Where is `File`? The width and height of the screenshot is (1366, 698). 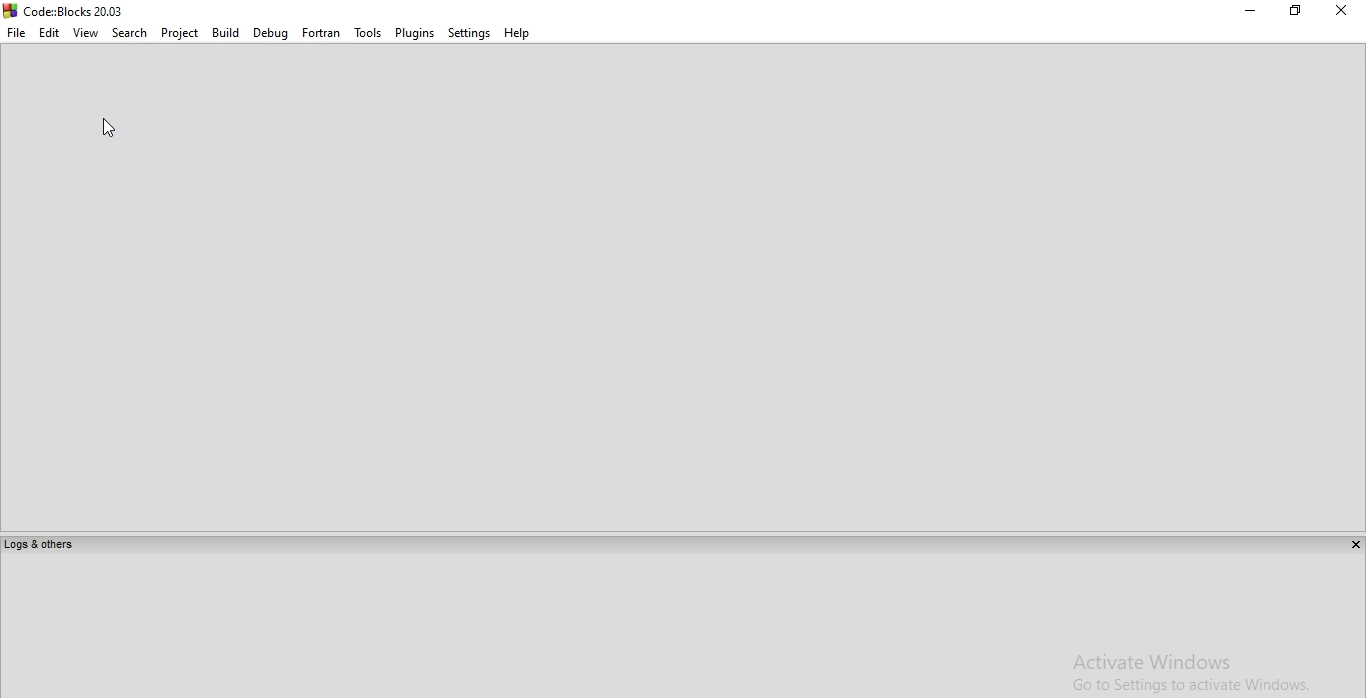 File is located at coordinates (16, 32).